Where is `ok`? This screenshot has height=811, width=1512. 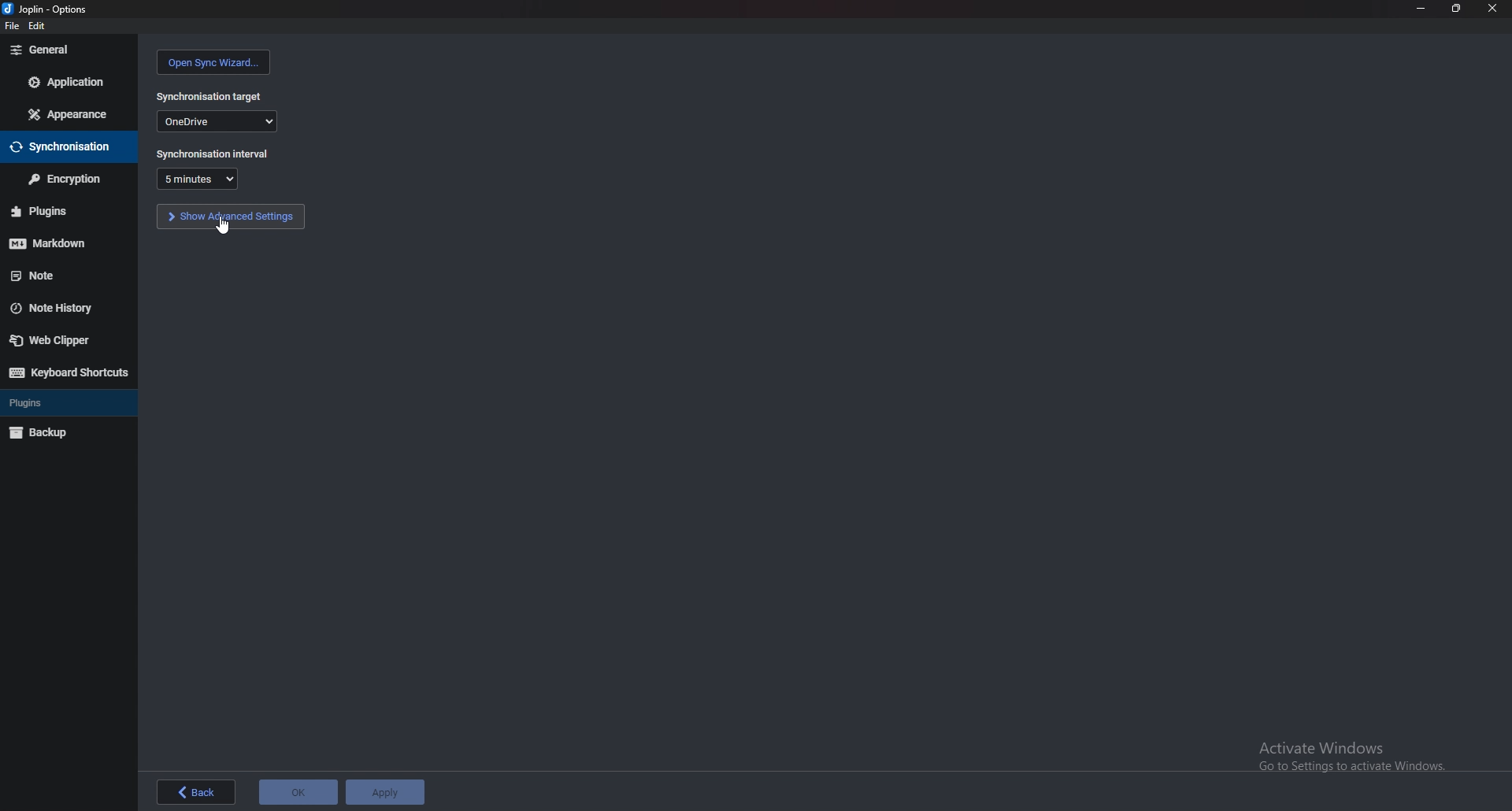 ok is located at coordinates (296, 791).